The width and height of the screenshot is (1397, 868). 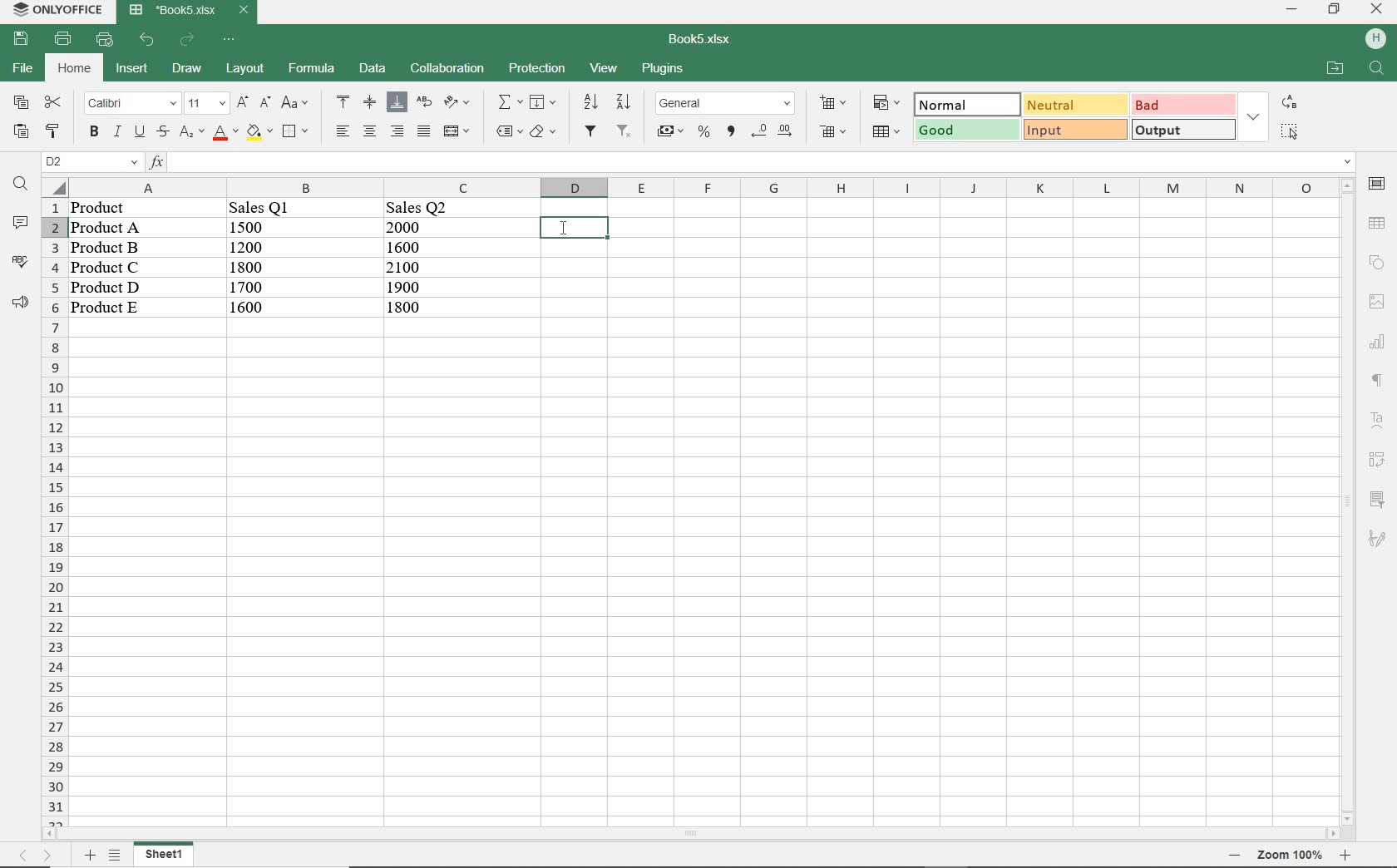 What do you see at coordinates (1291, 104) in the screenshot?
I see `replace` at bounding box center [1291, 104].